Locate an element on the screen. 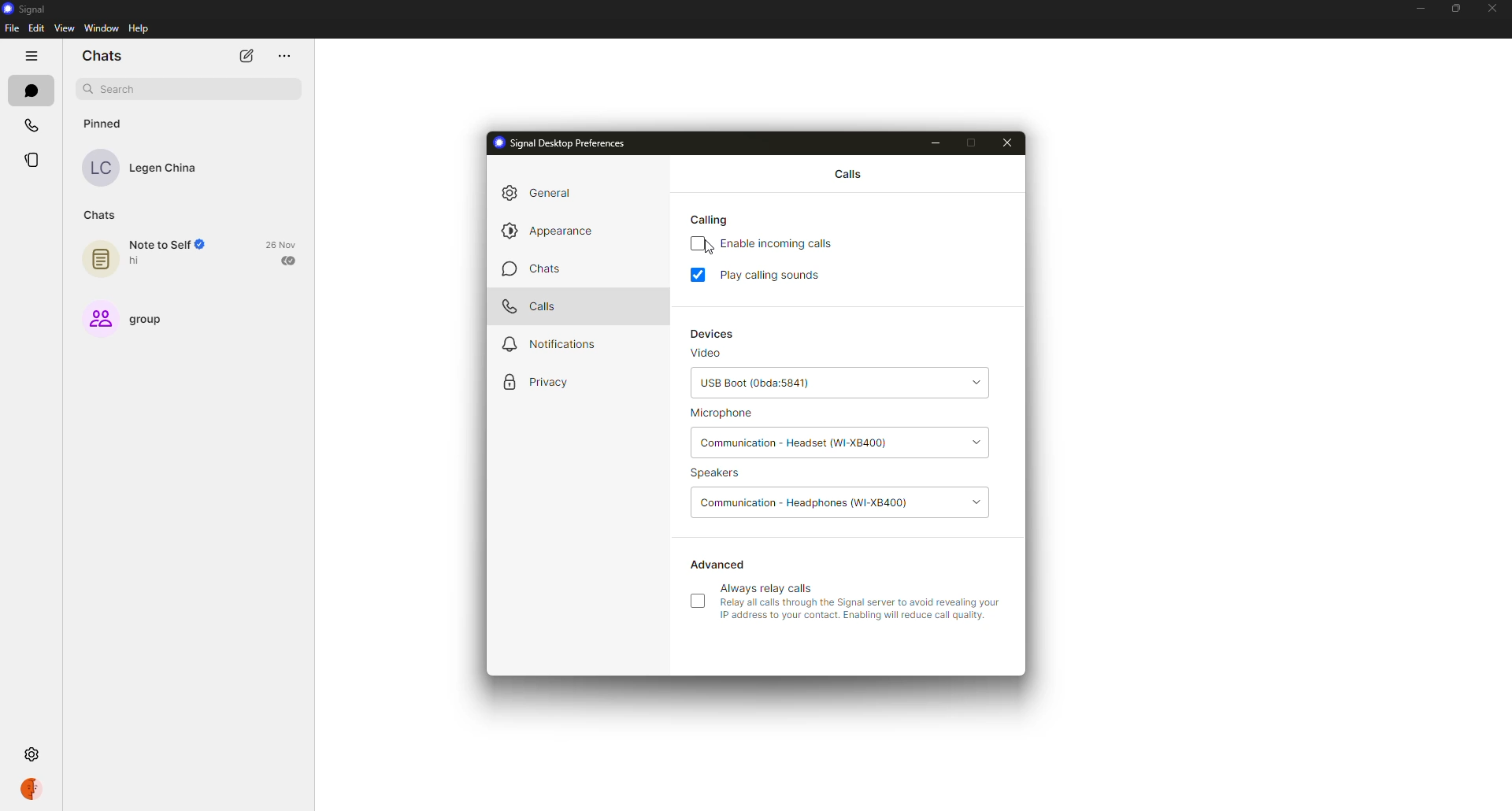 Image resolution: width=1512 pixels, height=811 pixels. minimize is located at coordinates (1419, 9).